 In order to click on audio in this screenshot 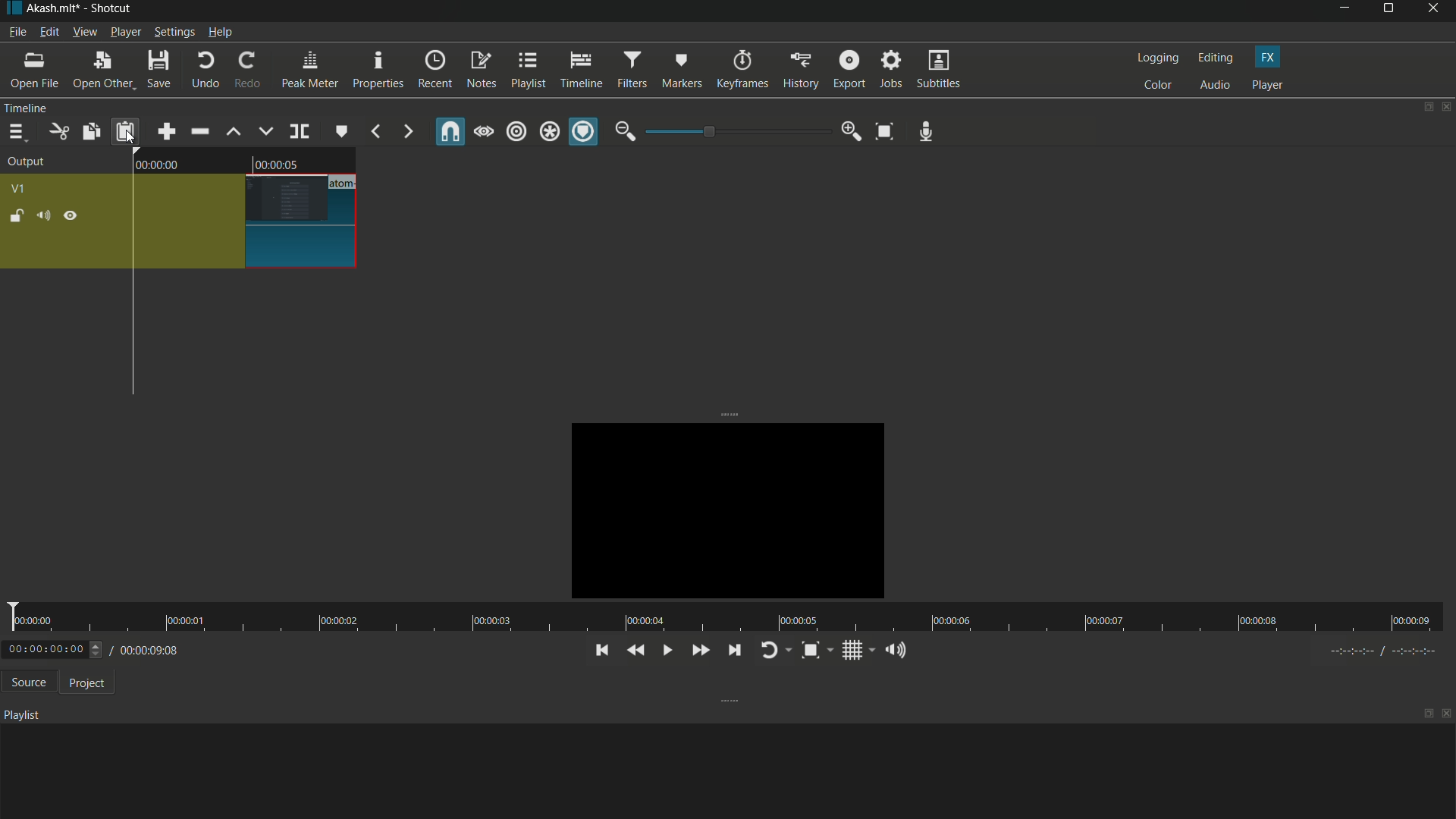, I will do `click(1216, 86)`.